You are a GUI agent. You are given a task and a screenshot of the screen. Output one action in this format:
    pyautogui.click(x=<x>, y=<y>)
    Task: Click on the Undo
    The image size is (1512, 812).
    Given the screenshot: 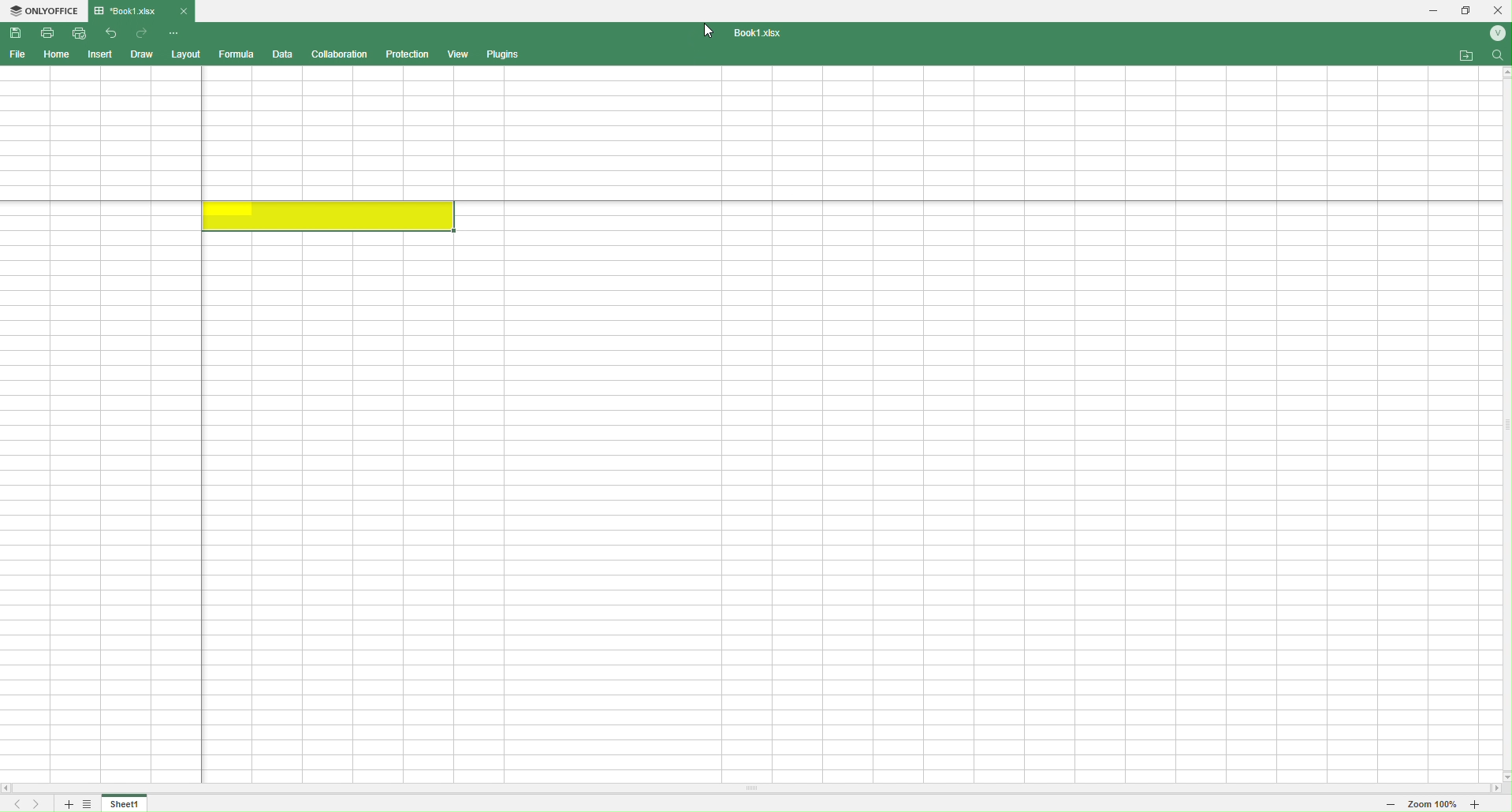 What is the action you would take?
    pyautogui.click(x=114, y=35)
    